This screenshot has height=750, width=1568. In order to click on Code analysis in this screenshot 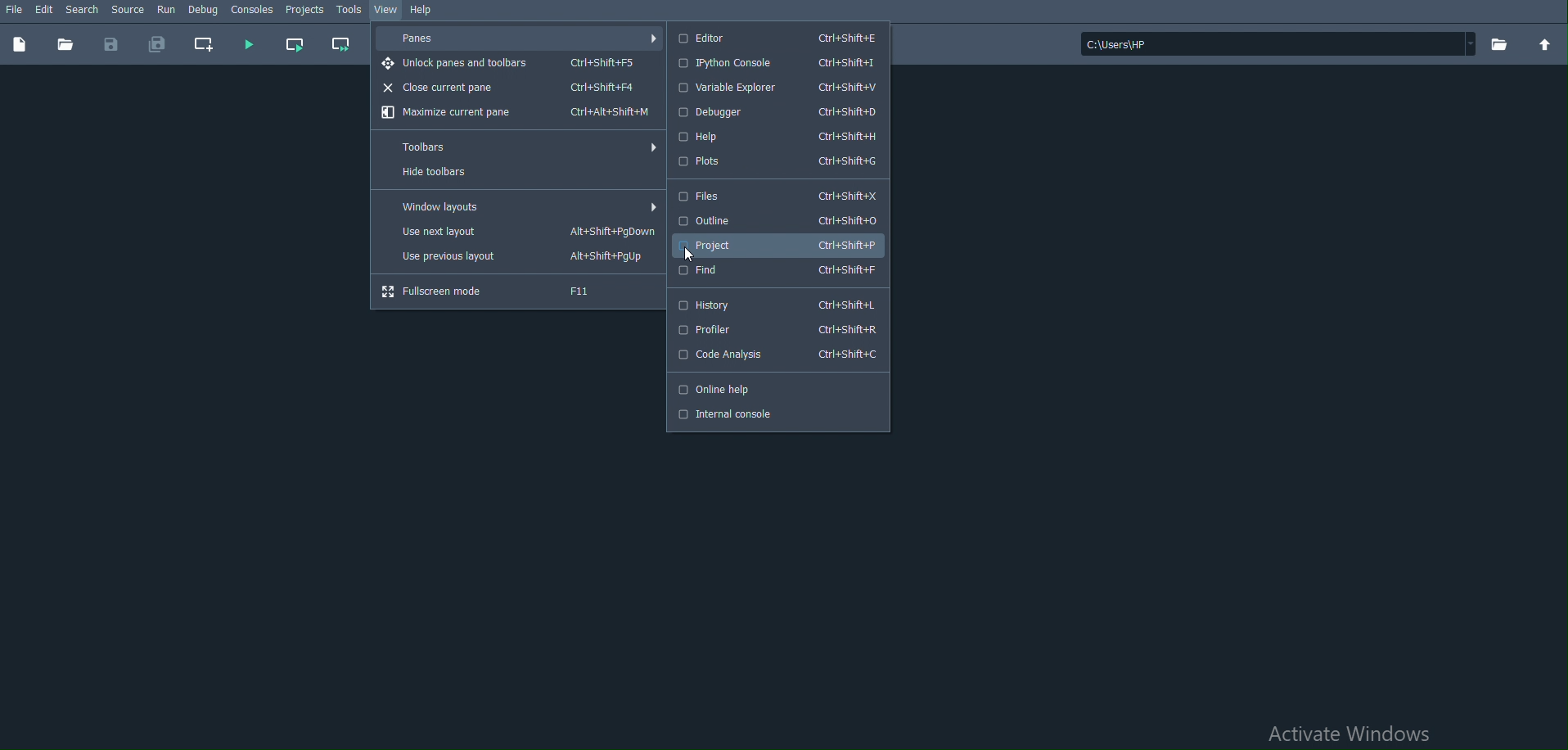, I will do `click(774, 355)`.